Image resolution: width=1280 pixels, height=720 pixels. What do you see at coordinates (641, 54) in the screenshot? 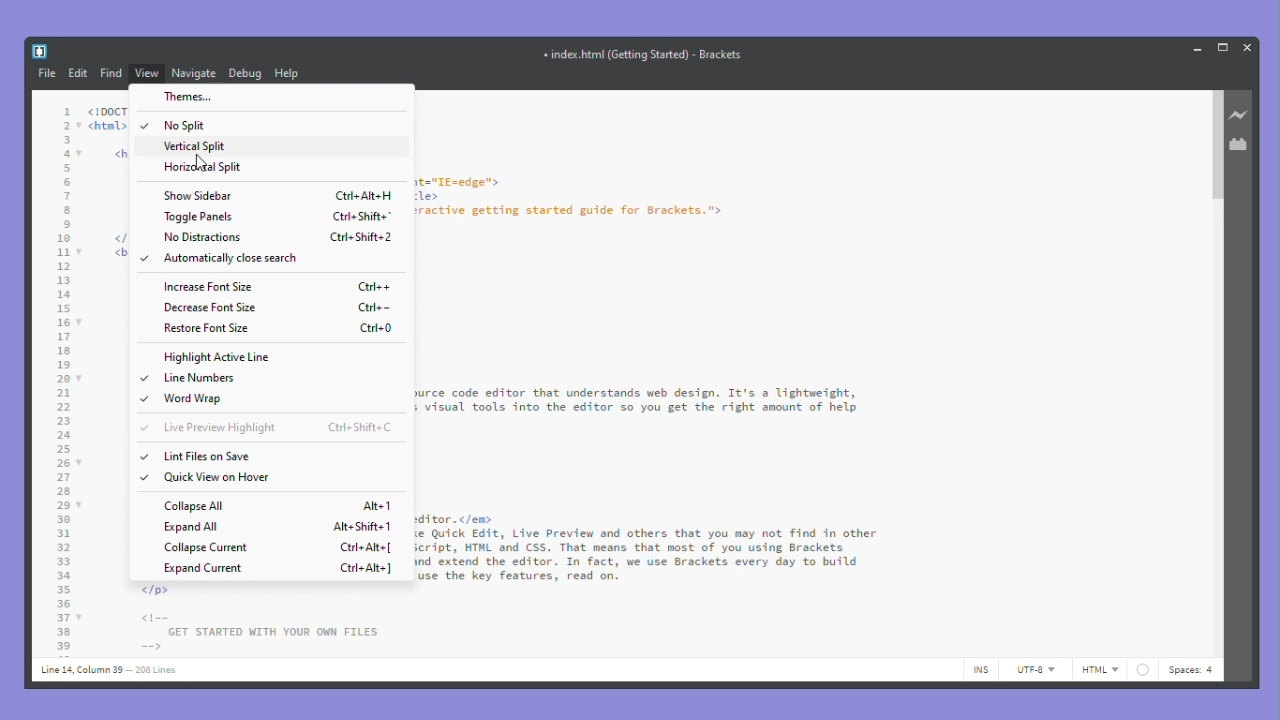
I see `index.html (getting started) - brackets` at bounding box center [641, 54].